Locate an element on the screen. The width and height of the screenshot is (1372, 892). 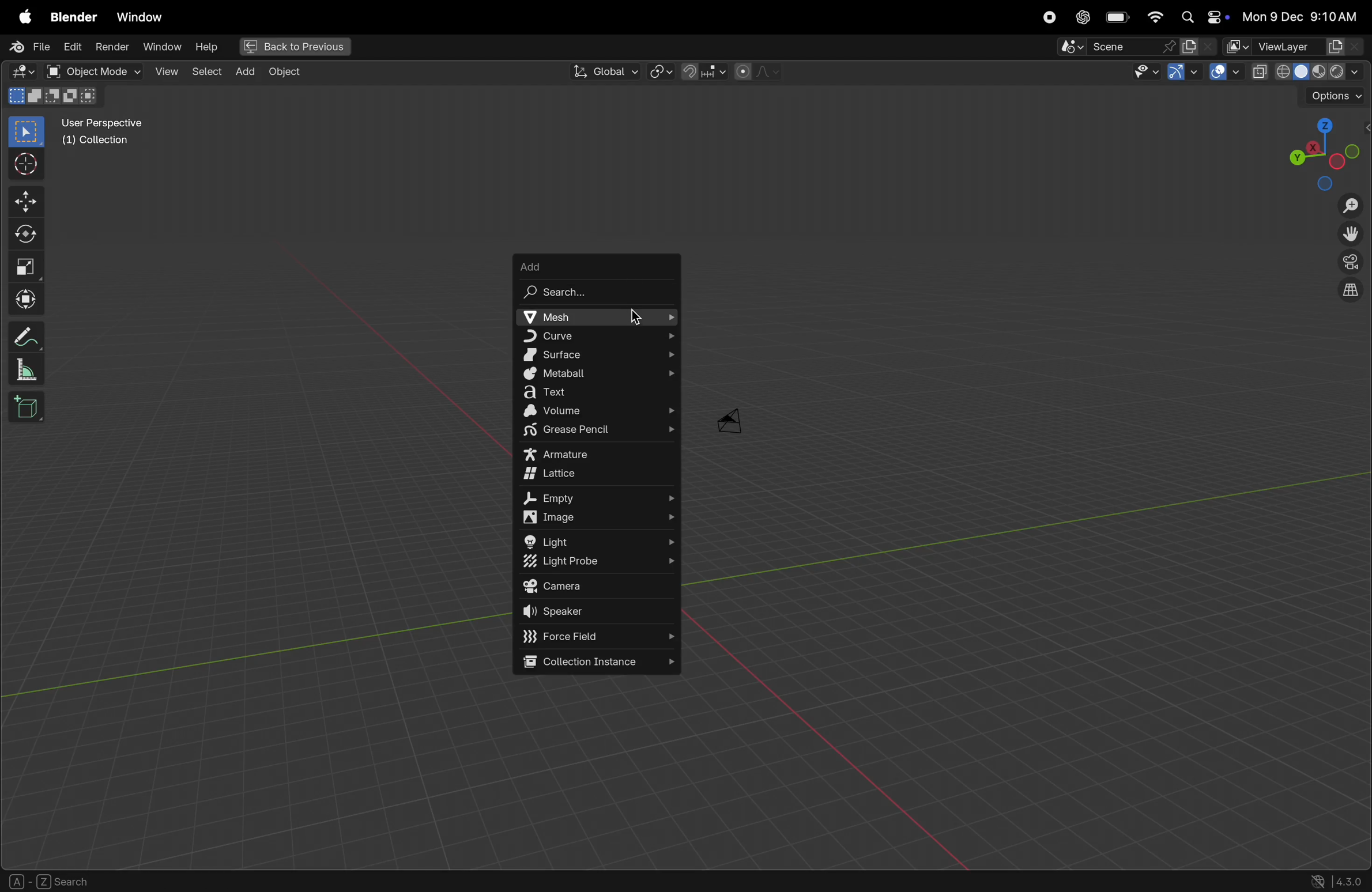
ametaure is located at coordinates (598, 454).